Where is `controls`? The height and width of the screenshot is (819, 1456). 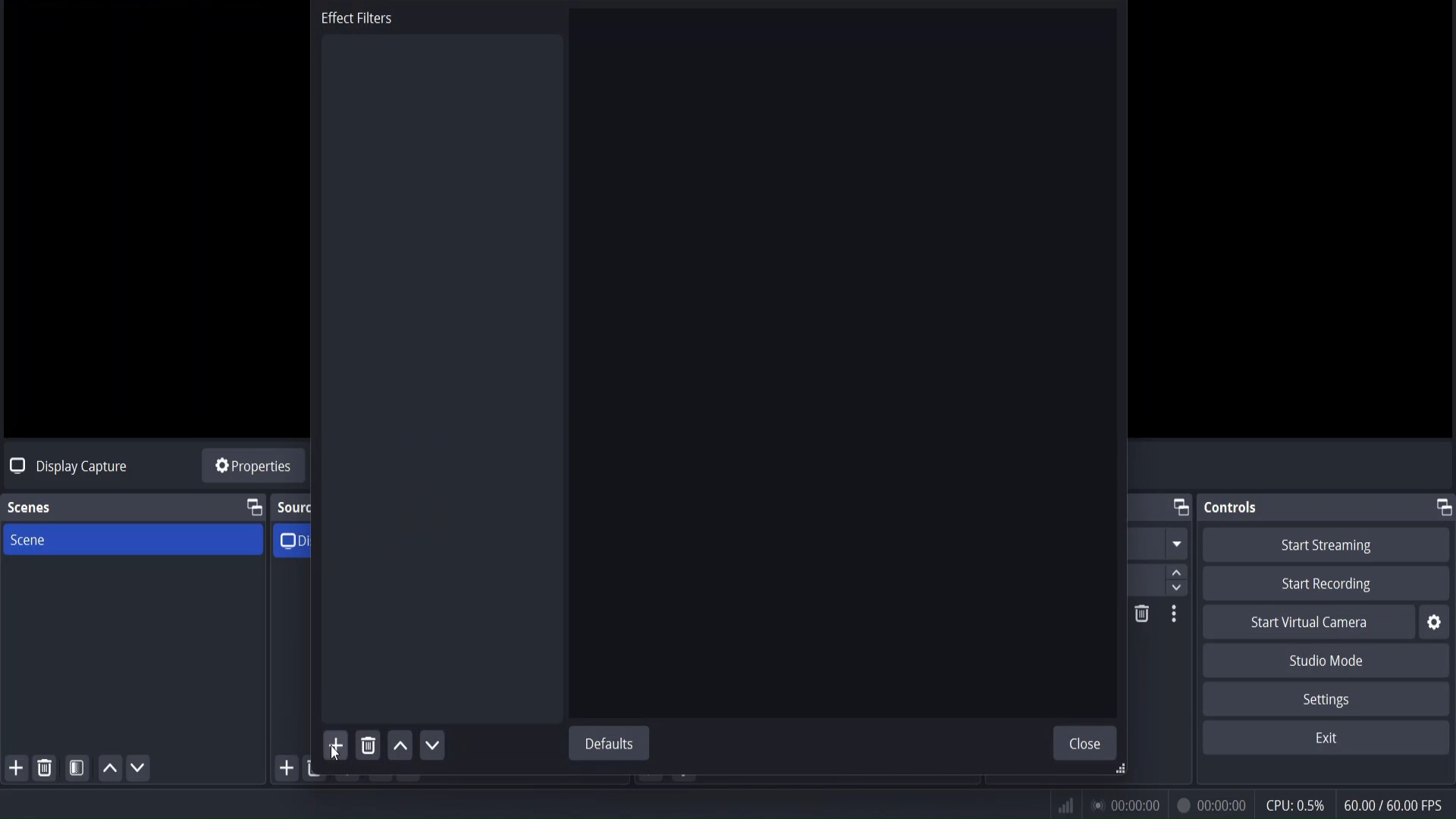
controls is located at coordinates (1234, 507).